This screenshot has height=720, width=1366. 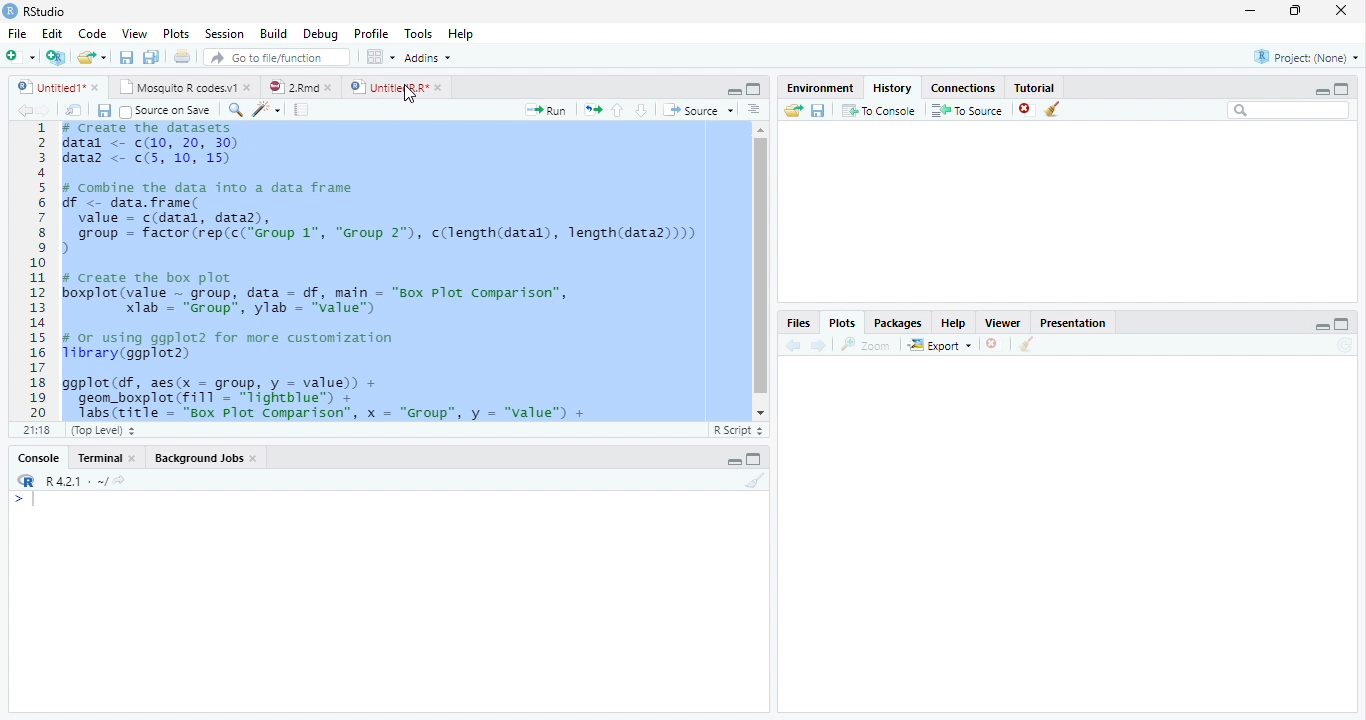 What do you see at coordinates (319, 34) in the screenshot?
I see `Debug` at bounding box center [319, 34].